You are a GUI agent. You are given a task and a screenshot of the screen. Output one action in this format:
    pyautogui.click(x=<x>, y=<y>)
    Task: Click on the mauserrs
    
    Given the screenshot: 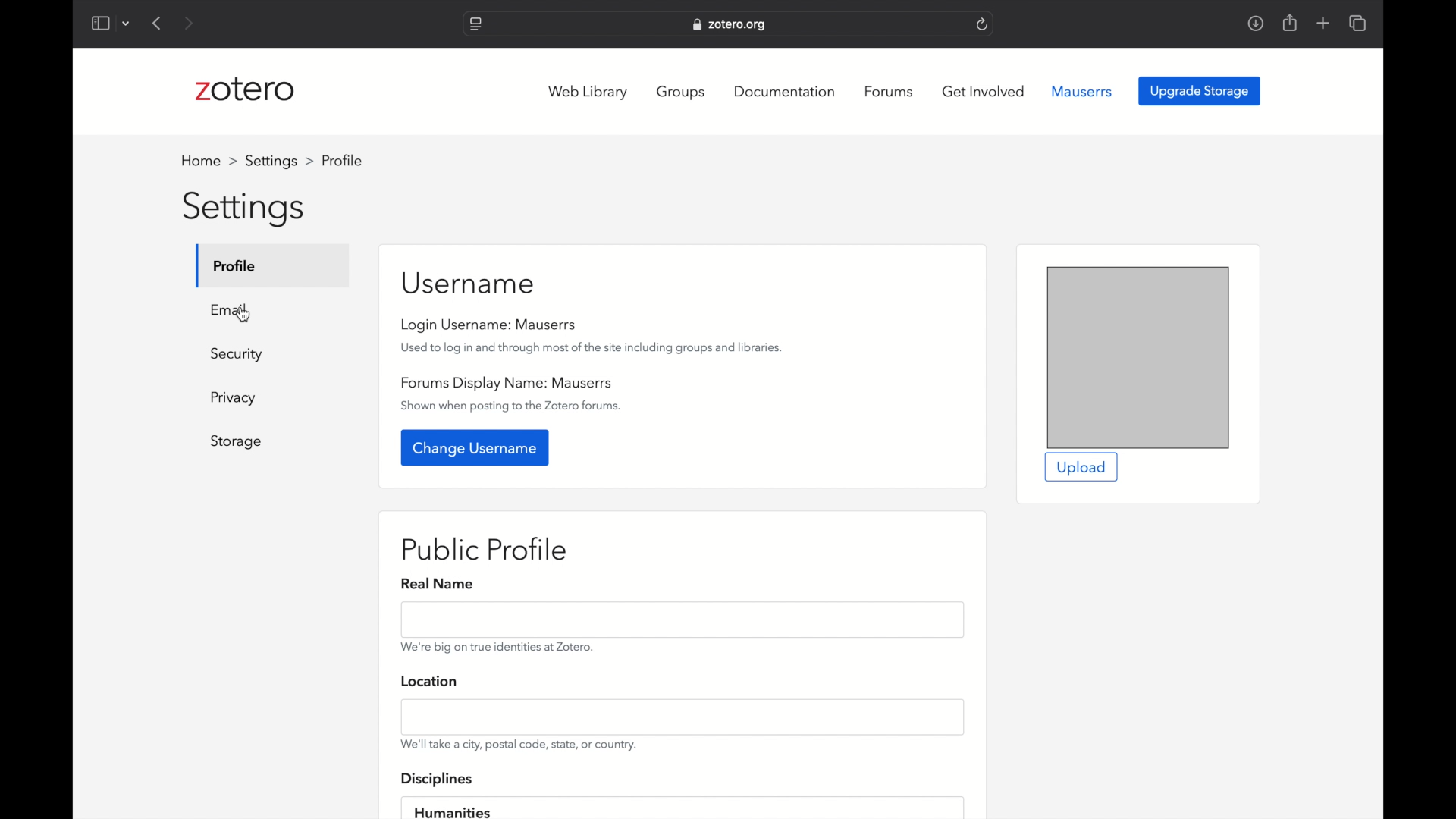 What is the action you would take?
    pyautogui.click(x=1082, y=91)
    